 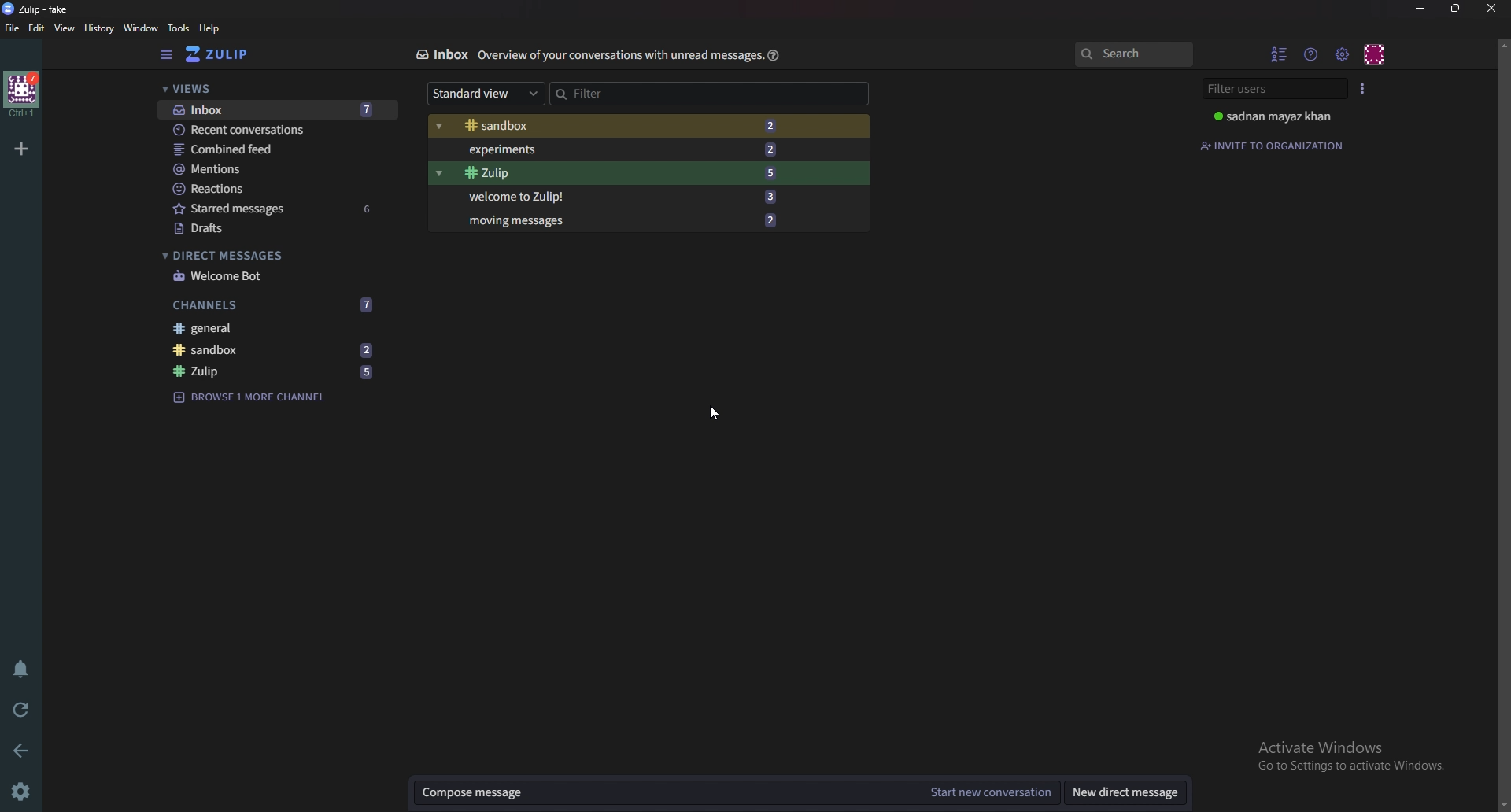 I want to click on Combine feed, so click(x=279, y=149).